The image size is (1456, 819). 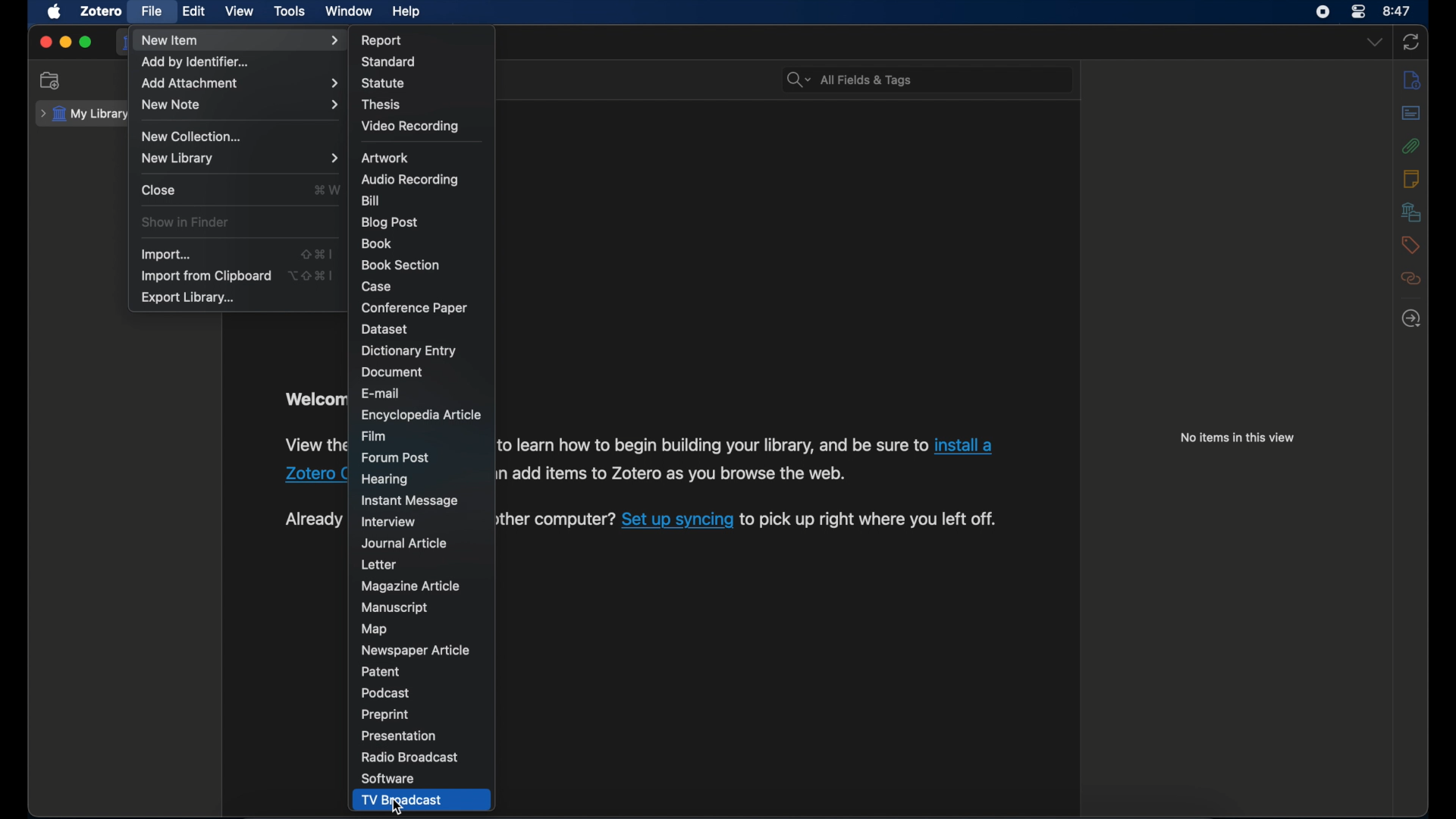 What do you see at coordinates (1414, 147) in the screenshot?
I see `attachments` at bounding box center [1414, 147].